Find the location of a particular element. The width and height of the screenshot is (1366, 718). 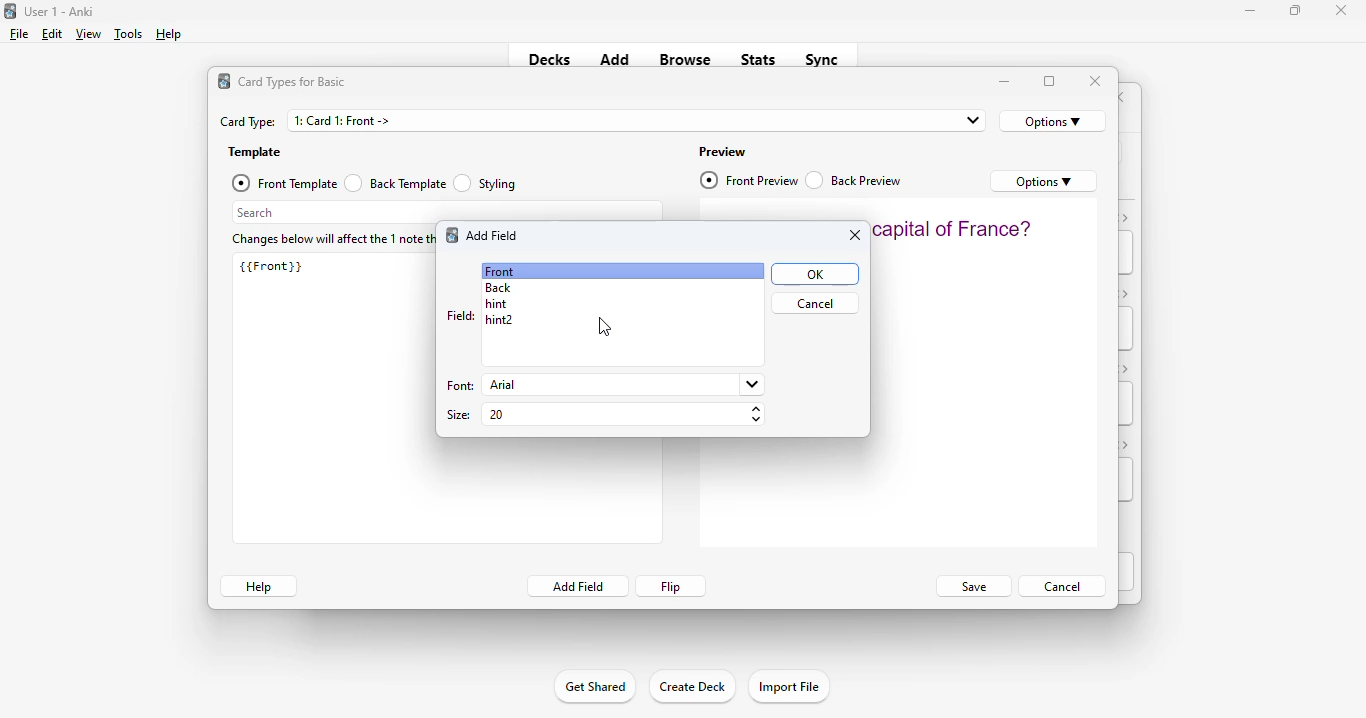

decks is located at coordinates (550, 59).